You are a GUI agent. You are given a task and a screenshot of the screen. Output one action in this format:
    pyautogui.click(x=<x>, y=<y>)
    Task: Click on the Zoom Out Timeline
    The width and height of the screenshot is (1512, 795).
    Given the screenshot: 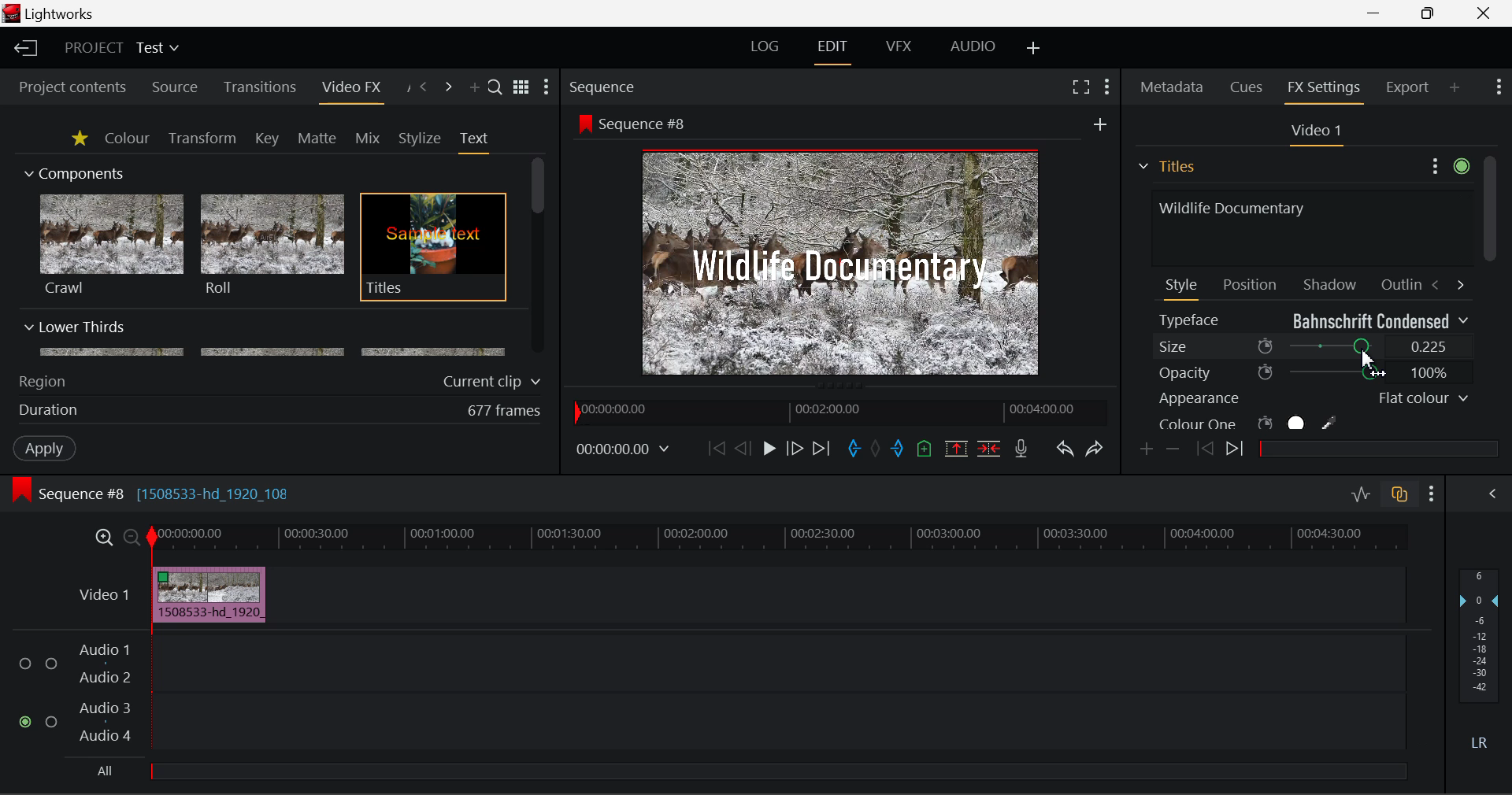 What is the action you would take?
    pyautogui.click(x=132, y=539)
    